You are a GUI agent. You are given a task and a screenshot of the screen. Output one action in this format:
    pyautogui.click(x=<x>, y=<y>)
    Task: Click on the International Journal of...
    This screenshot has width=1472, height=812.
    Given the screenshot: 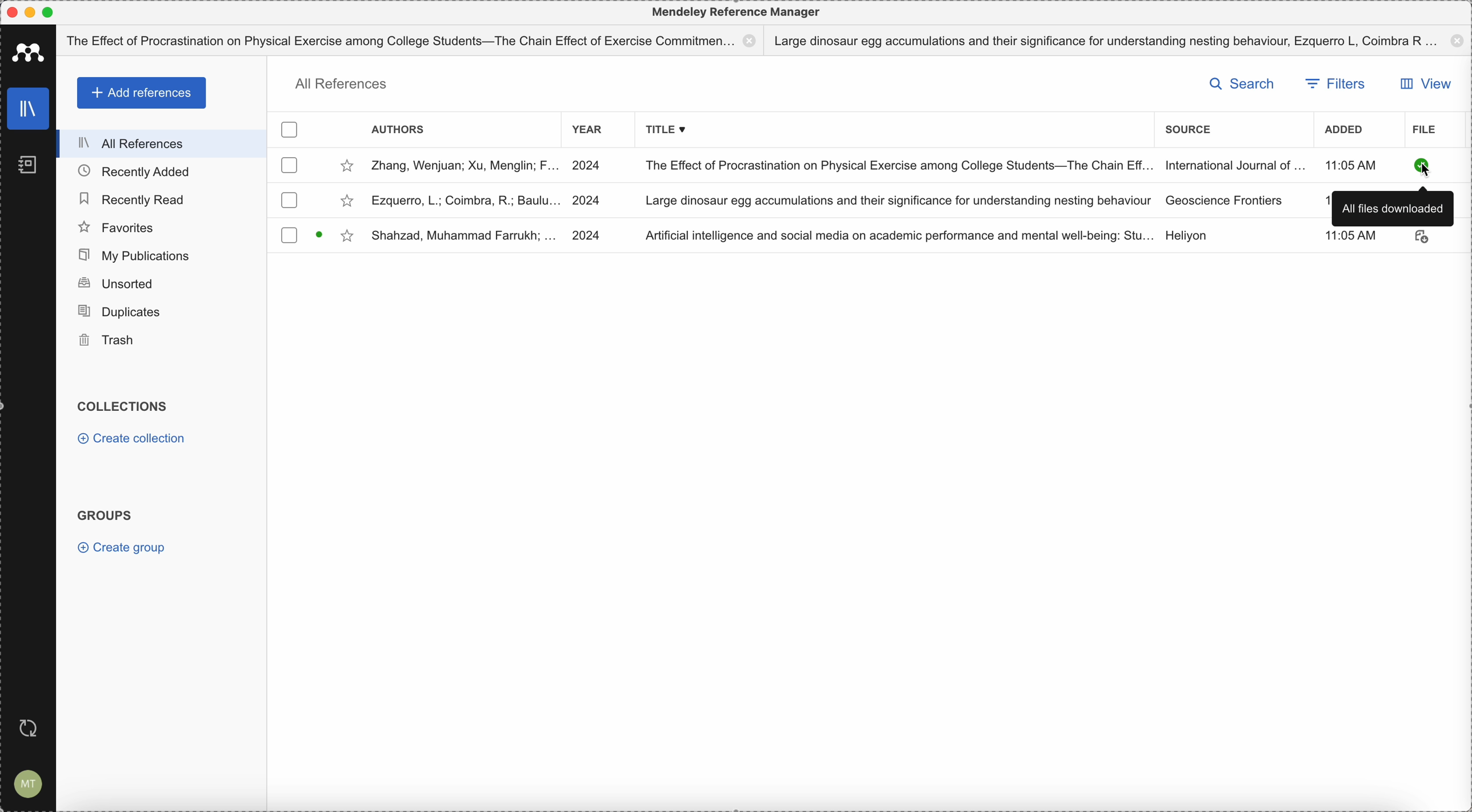 What is the action you would take?
    pyautogui.click(x=1237, y=163)
    